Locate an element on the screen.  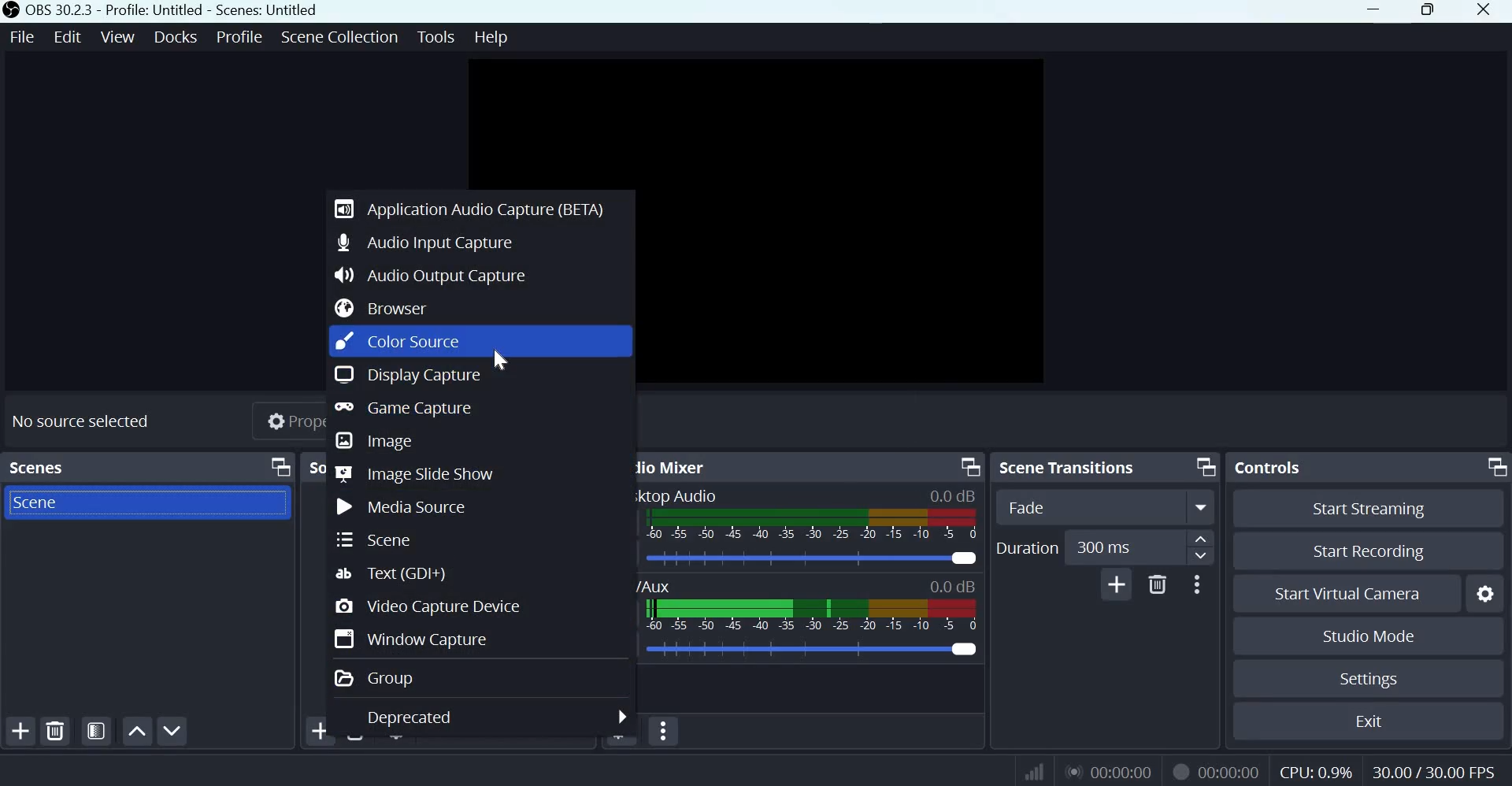
Audio Mixer Menu is located at coordinates (664, 732).